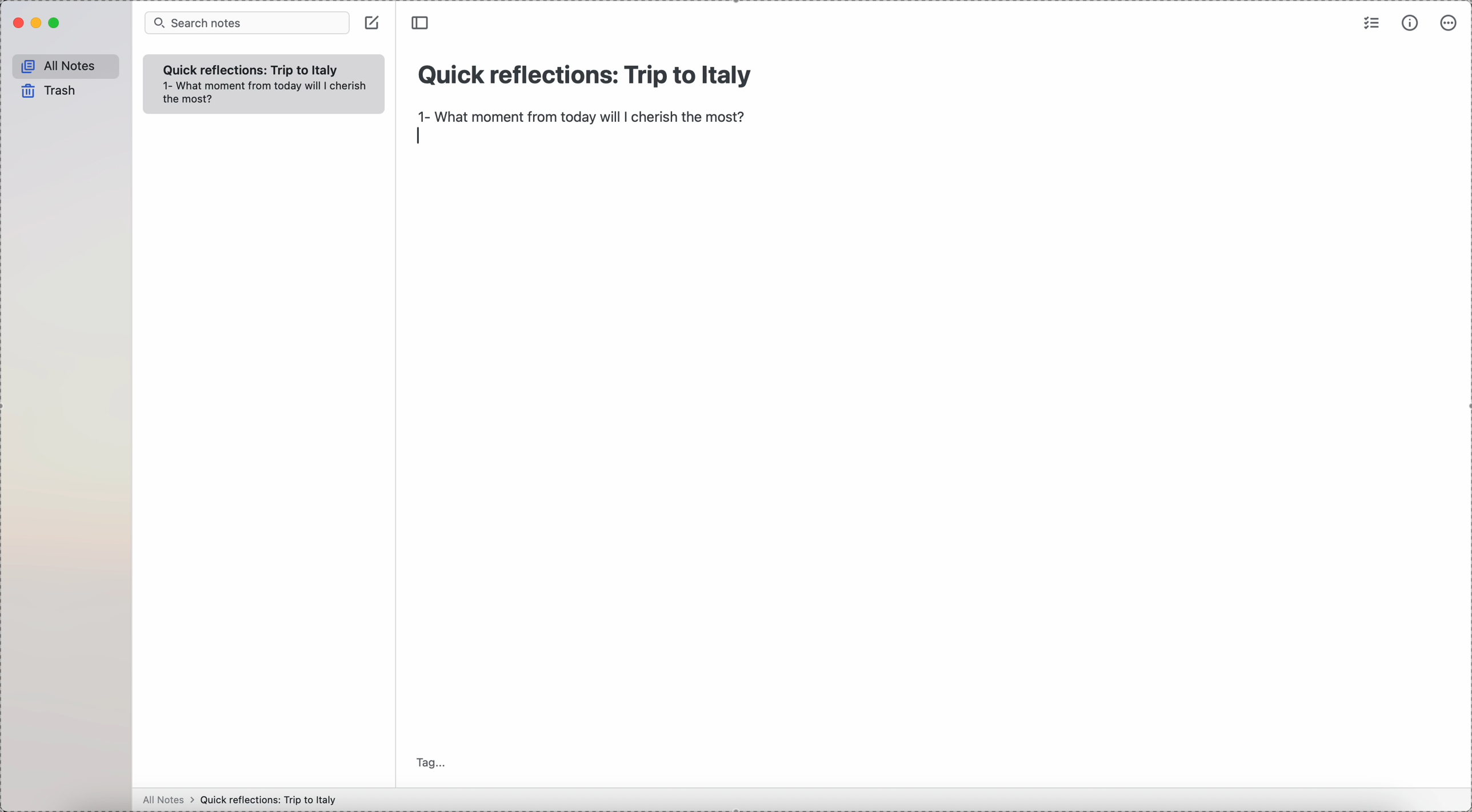 Image resolution: width=1472 pixels, height=812 pixels. Describe the element at coordinates (165, 801) in the screenshot. I see `all notes` at that location.